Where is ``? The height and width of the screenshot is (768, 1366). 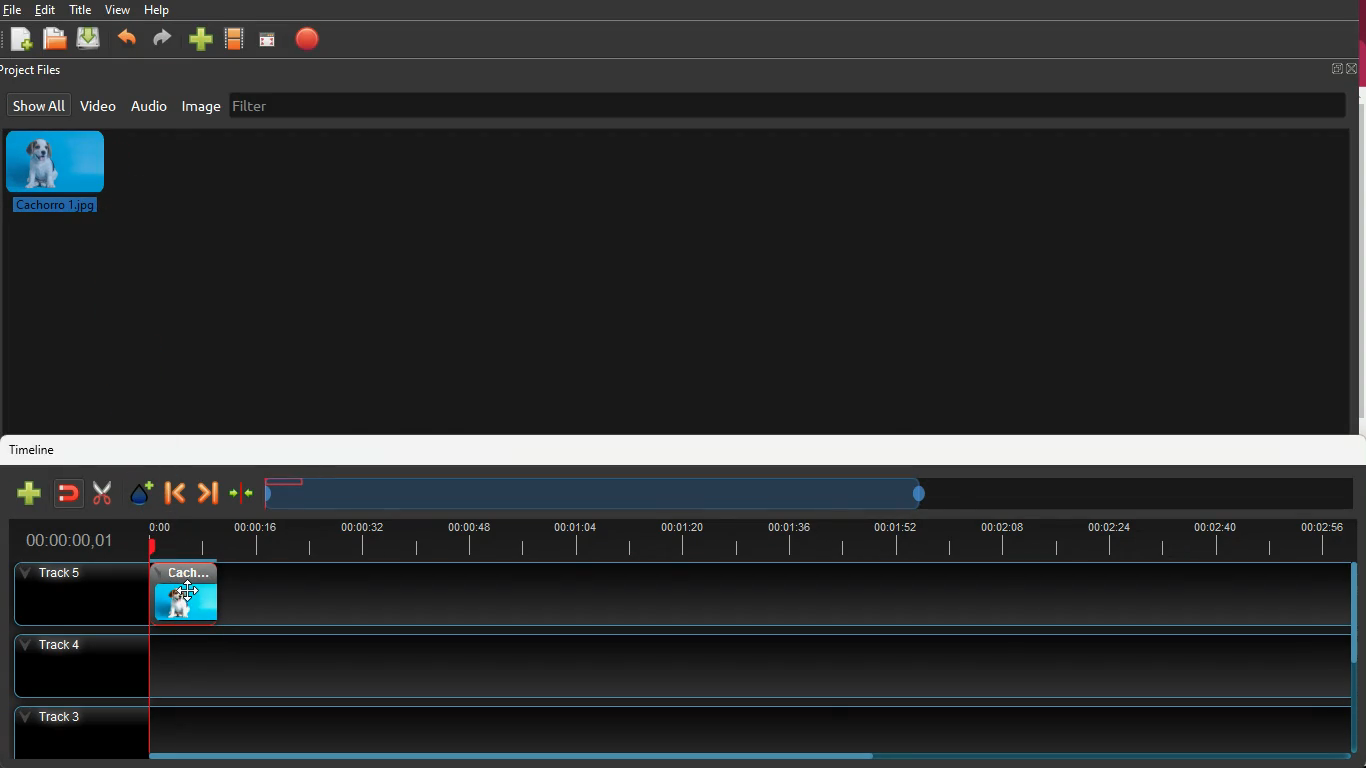
 is located at coordinates (61, 594).